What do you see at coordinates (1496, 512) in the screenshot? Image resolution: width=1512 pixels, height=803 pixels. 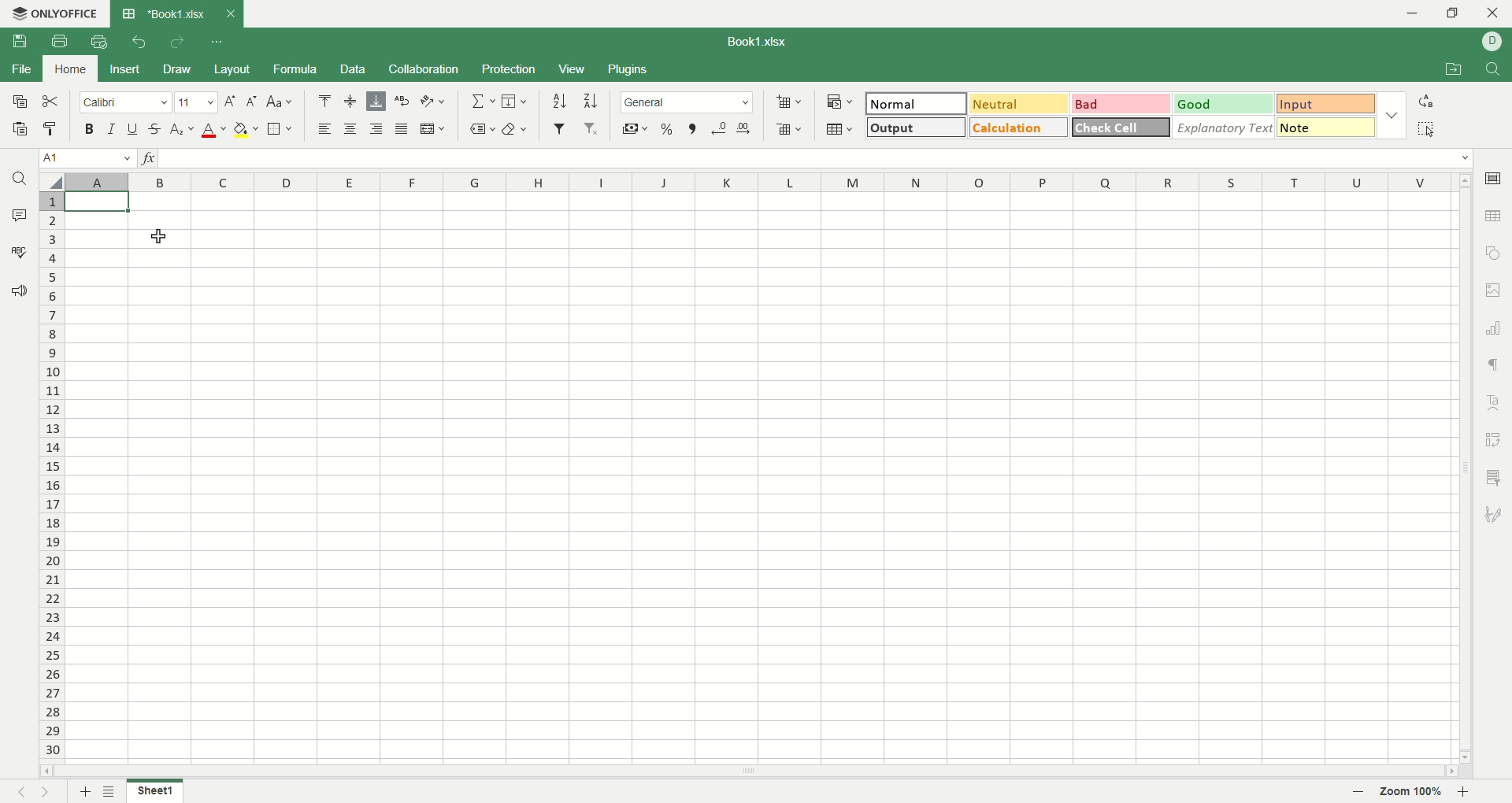 I see `signature` at bounding box center [1496, 512].